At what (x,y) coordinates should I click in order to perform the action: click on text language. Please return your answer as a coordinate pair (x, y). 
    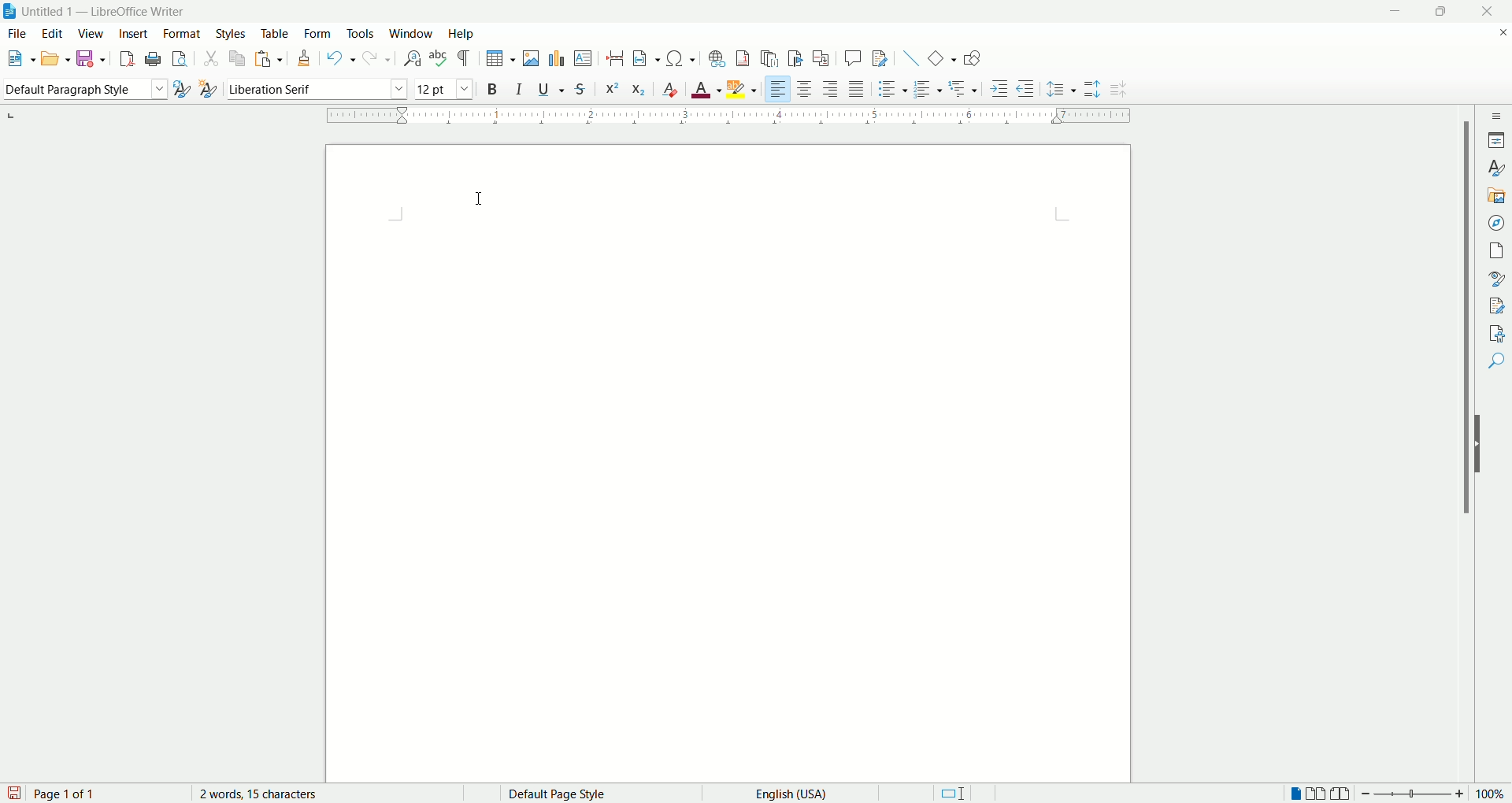
    Looking at the image, I should click on (815, 793).